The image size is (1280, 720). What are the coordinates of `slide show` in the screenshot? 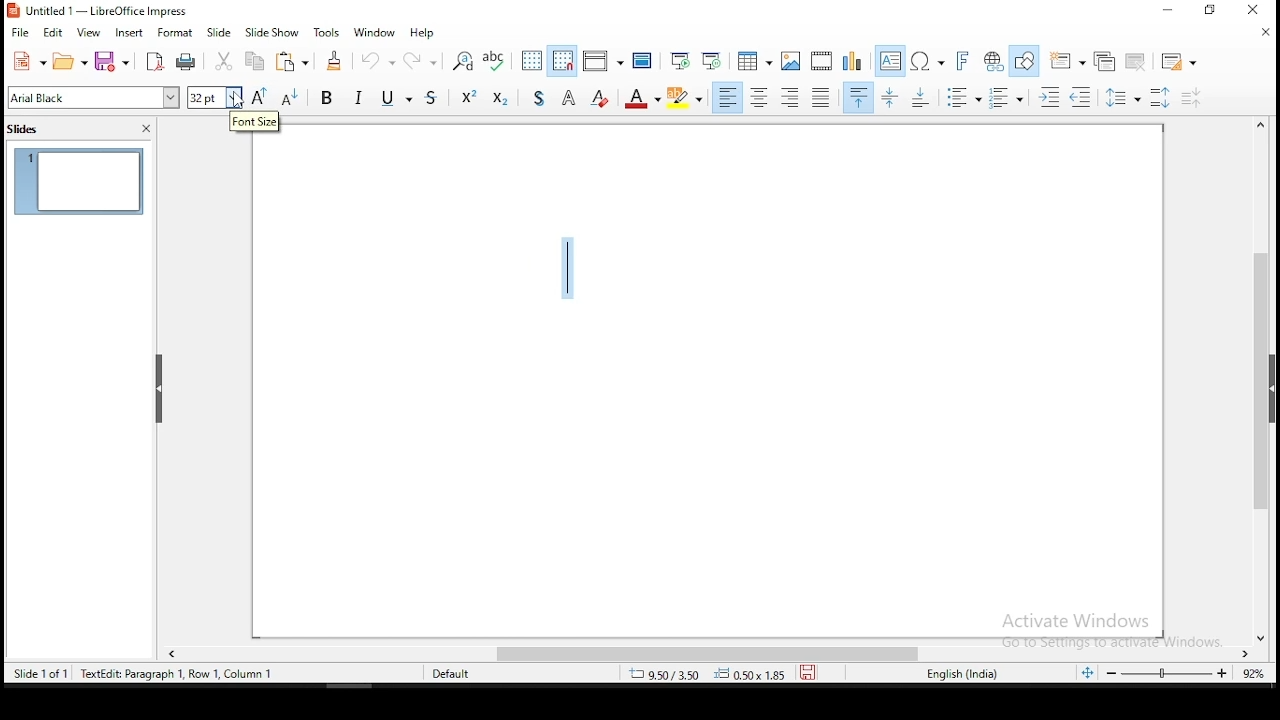 It's located at (220, 32).